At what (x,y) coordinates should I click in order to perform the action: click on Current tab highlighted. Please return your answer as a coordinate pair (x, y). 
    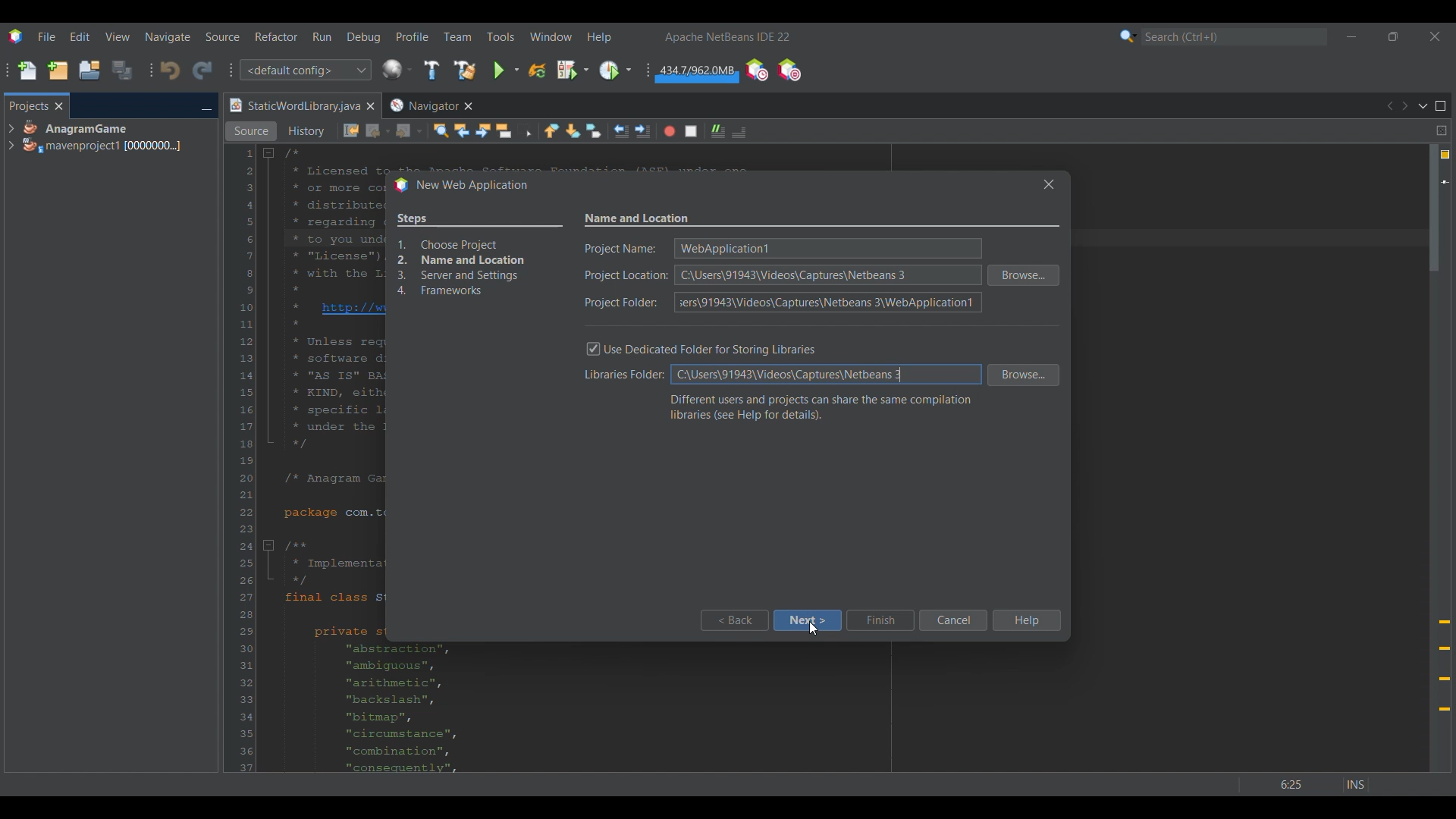
    Looking at the image, I should click on (293, 106).